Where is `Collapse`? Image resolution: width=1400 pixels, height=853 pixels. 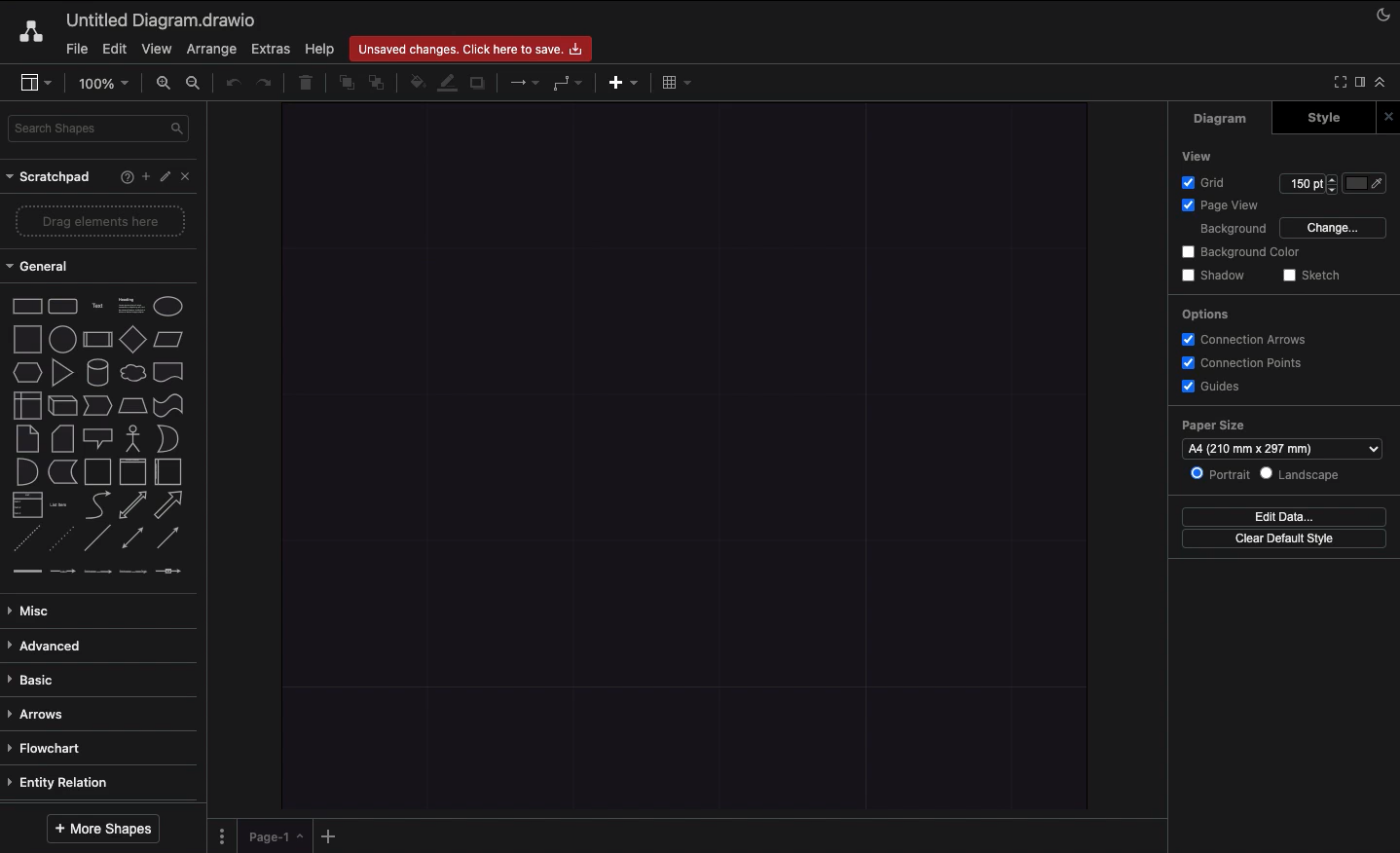
Collapse is located at coordinates (1382, 83).